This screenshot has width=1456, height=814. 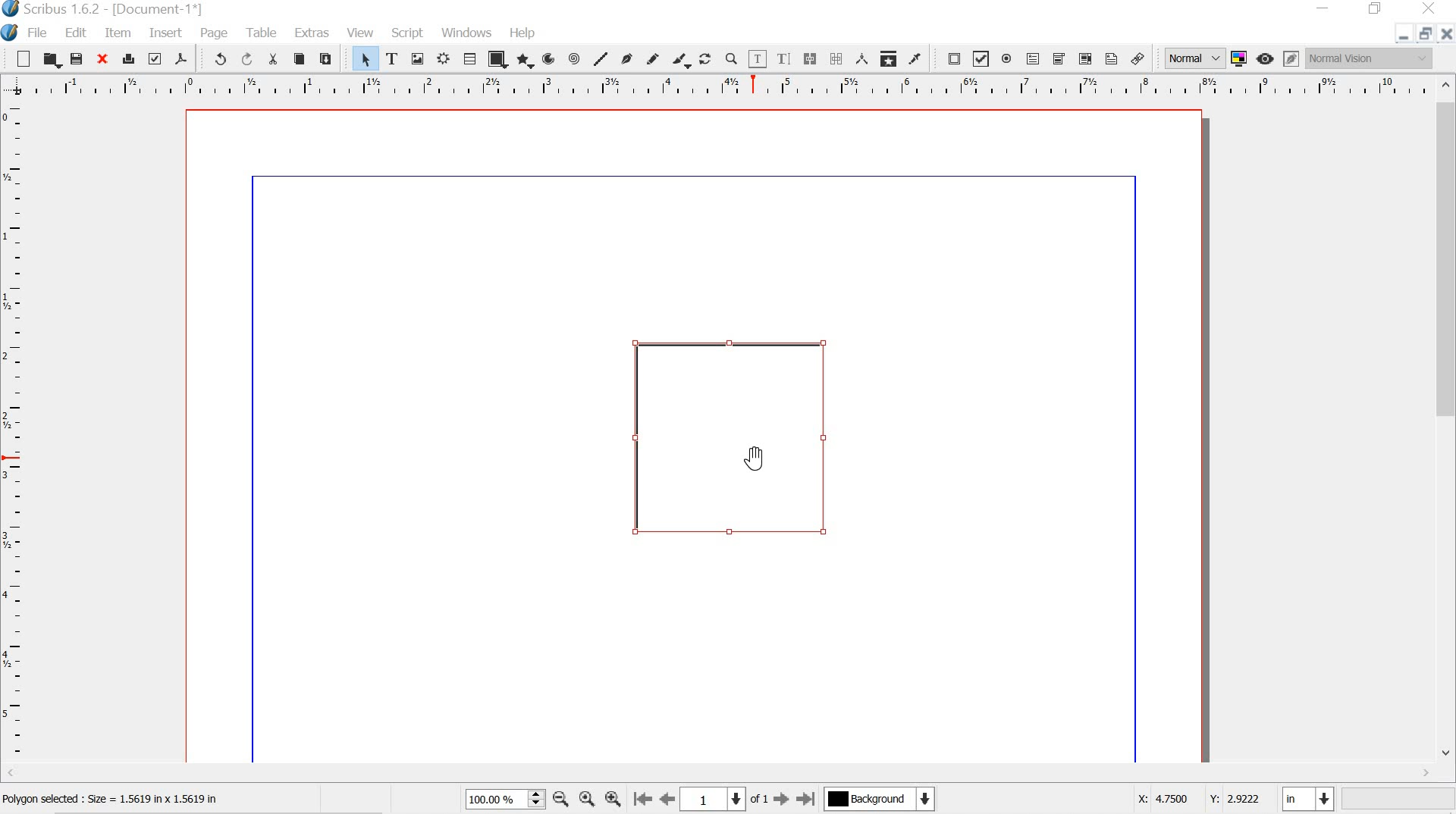 I want to click on go to next page, so click(x=781, y=800).